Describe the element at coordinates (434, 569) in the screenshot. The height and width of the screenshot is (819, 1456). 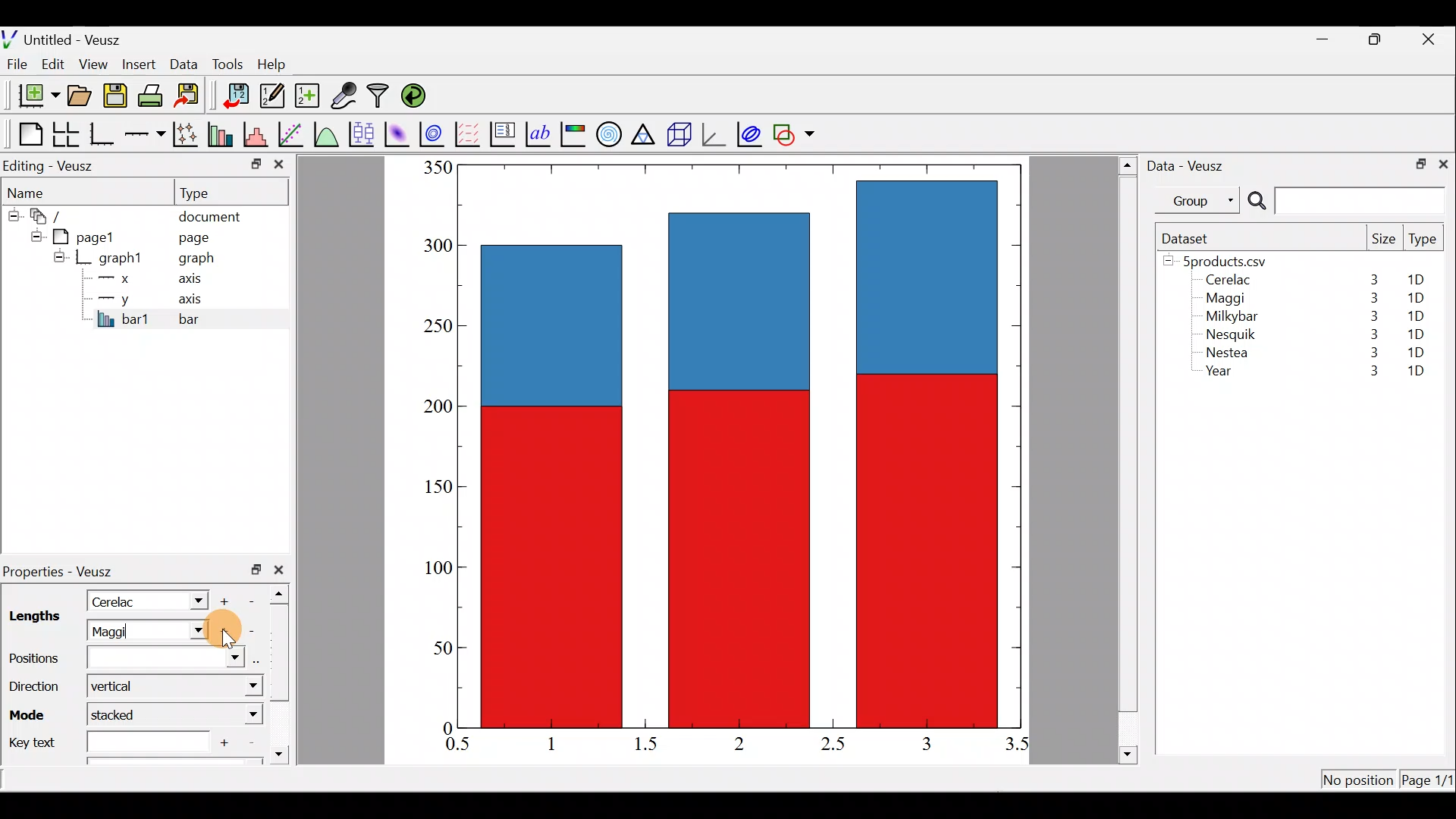
I see `100` at that location.